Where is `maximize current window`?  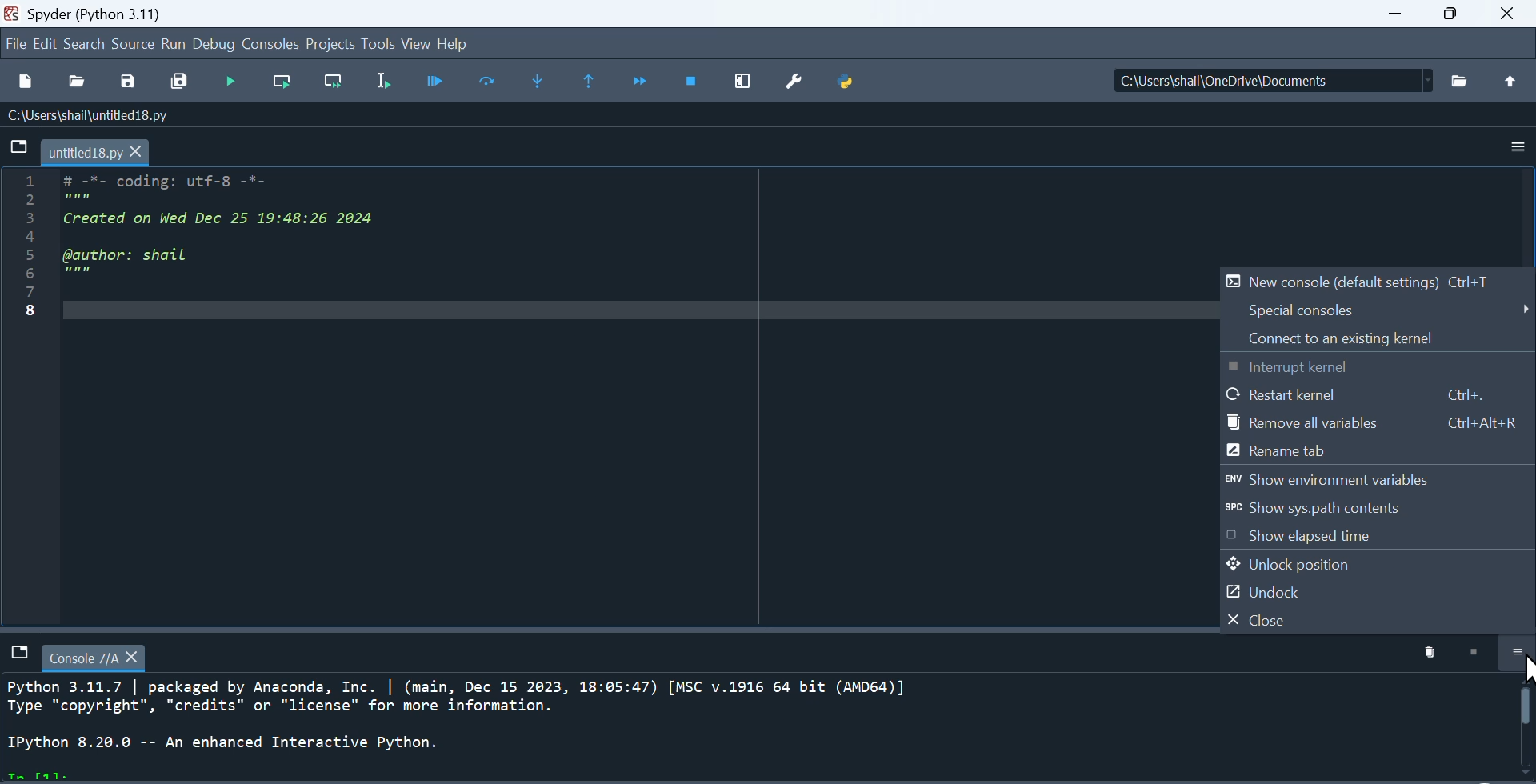
maximize current window is located at coordinates (745, 83).